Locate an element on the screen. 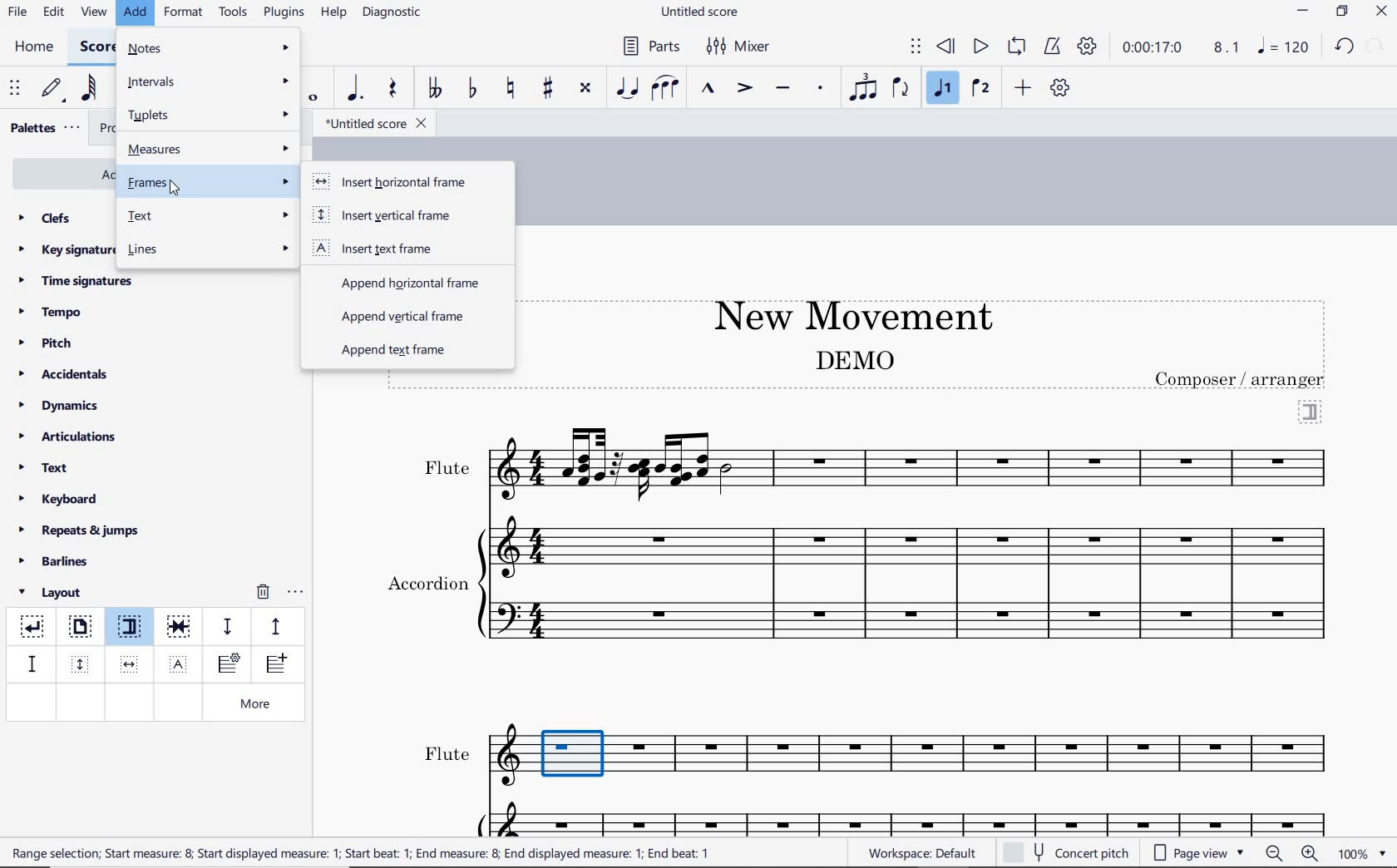 This screenshot has width=1397, height=868. playback time is located at coordinates (1153, 47).